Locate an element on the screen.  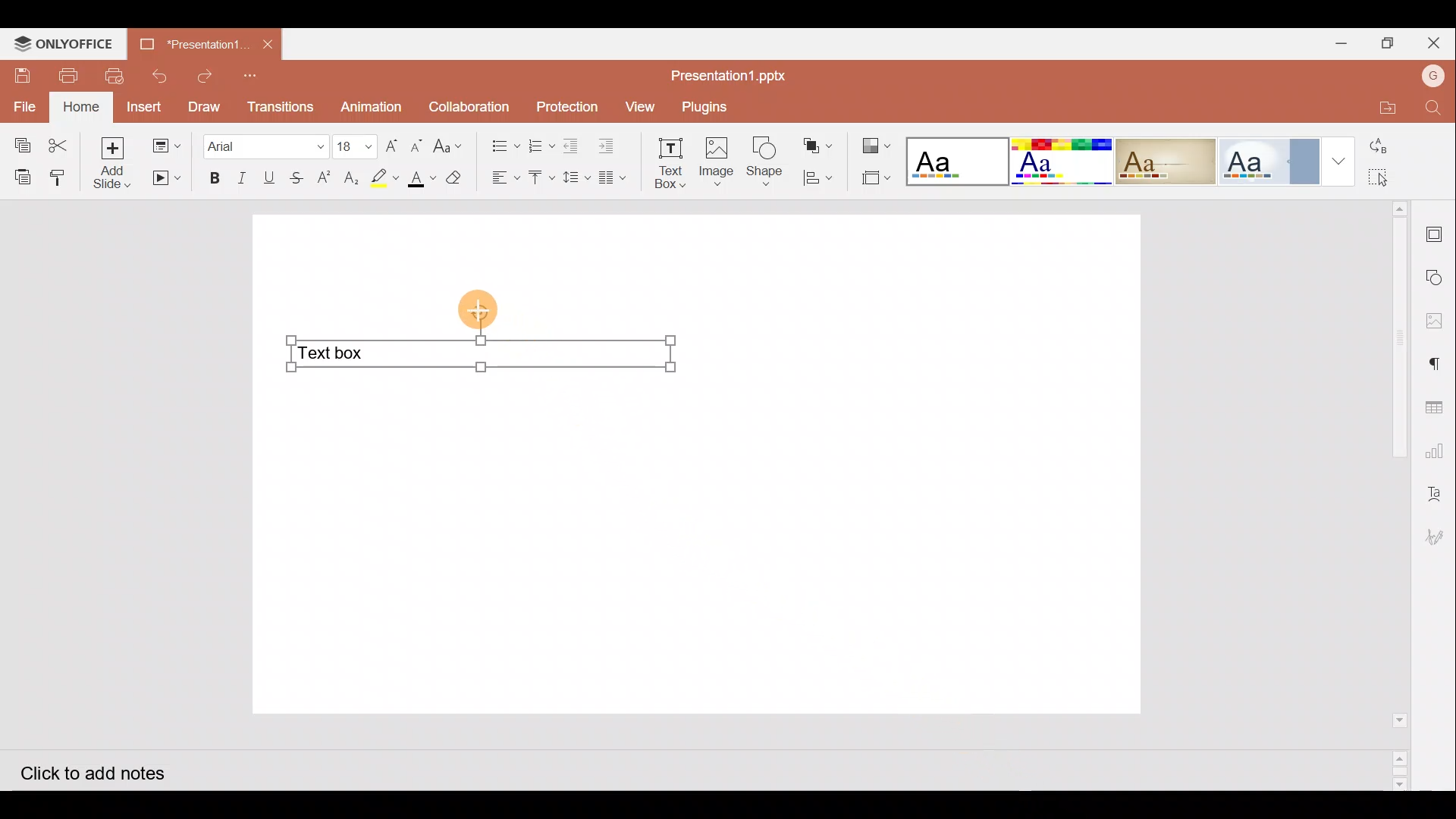
Classic is located at coordinates (1165, 158).